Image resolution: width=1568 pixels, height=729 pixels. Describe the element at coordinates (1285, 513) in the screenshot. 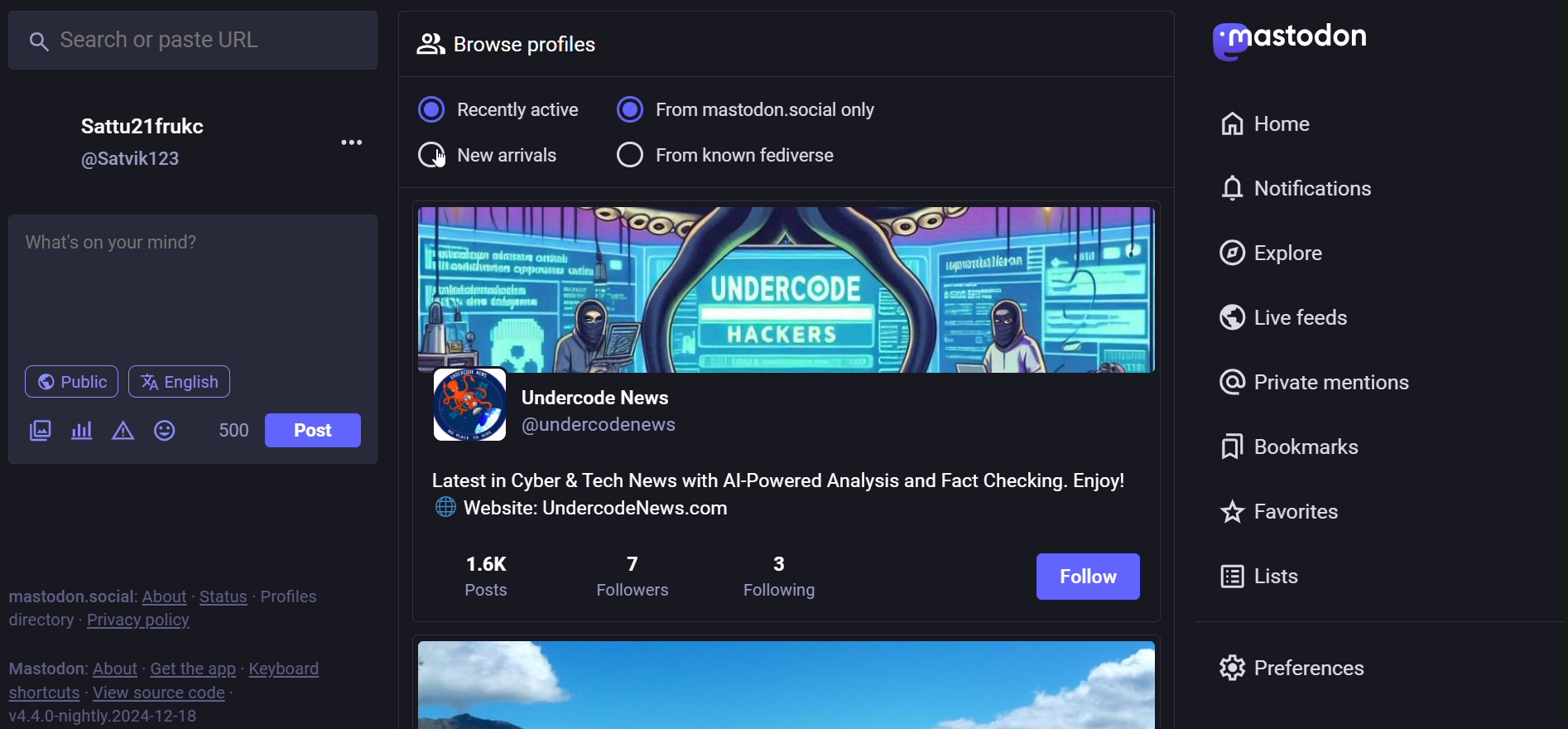

I see `favorites` at that location.